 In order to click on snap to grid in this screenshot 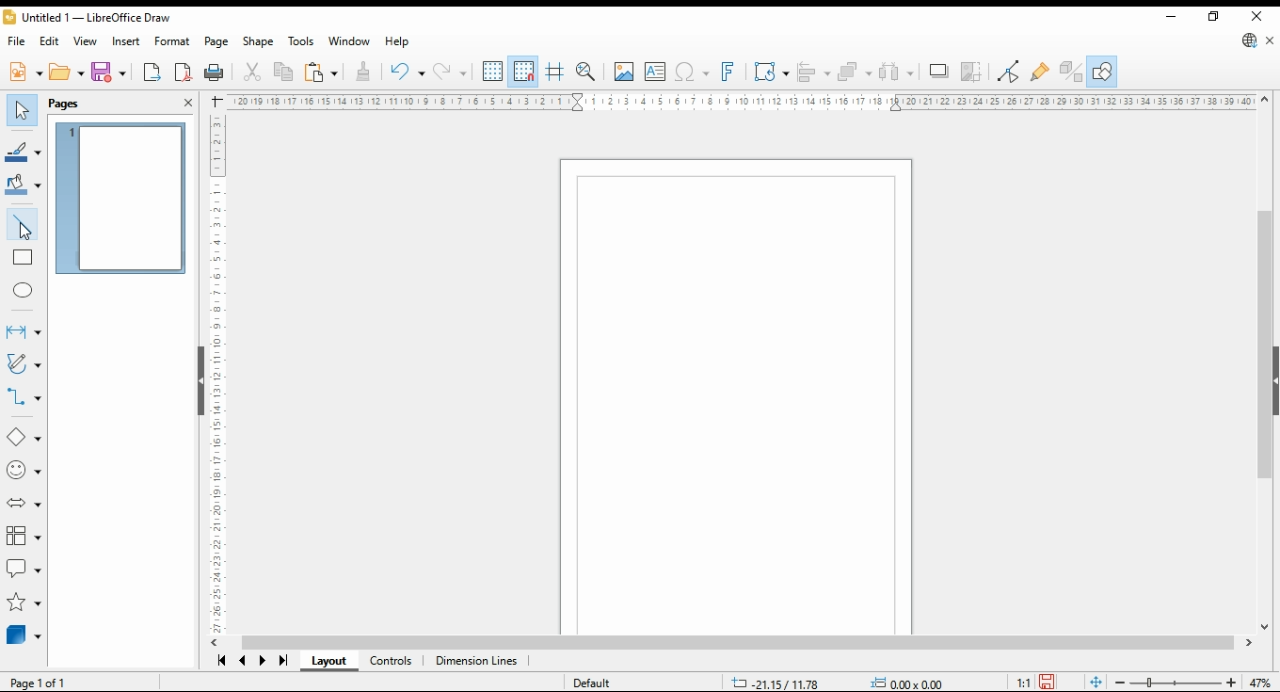, I will do `click(523, 71)`.